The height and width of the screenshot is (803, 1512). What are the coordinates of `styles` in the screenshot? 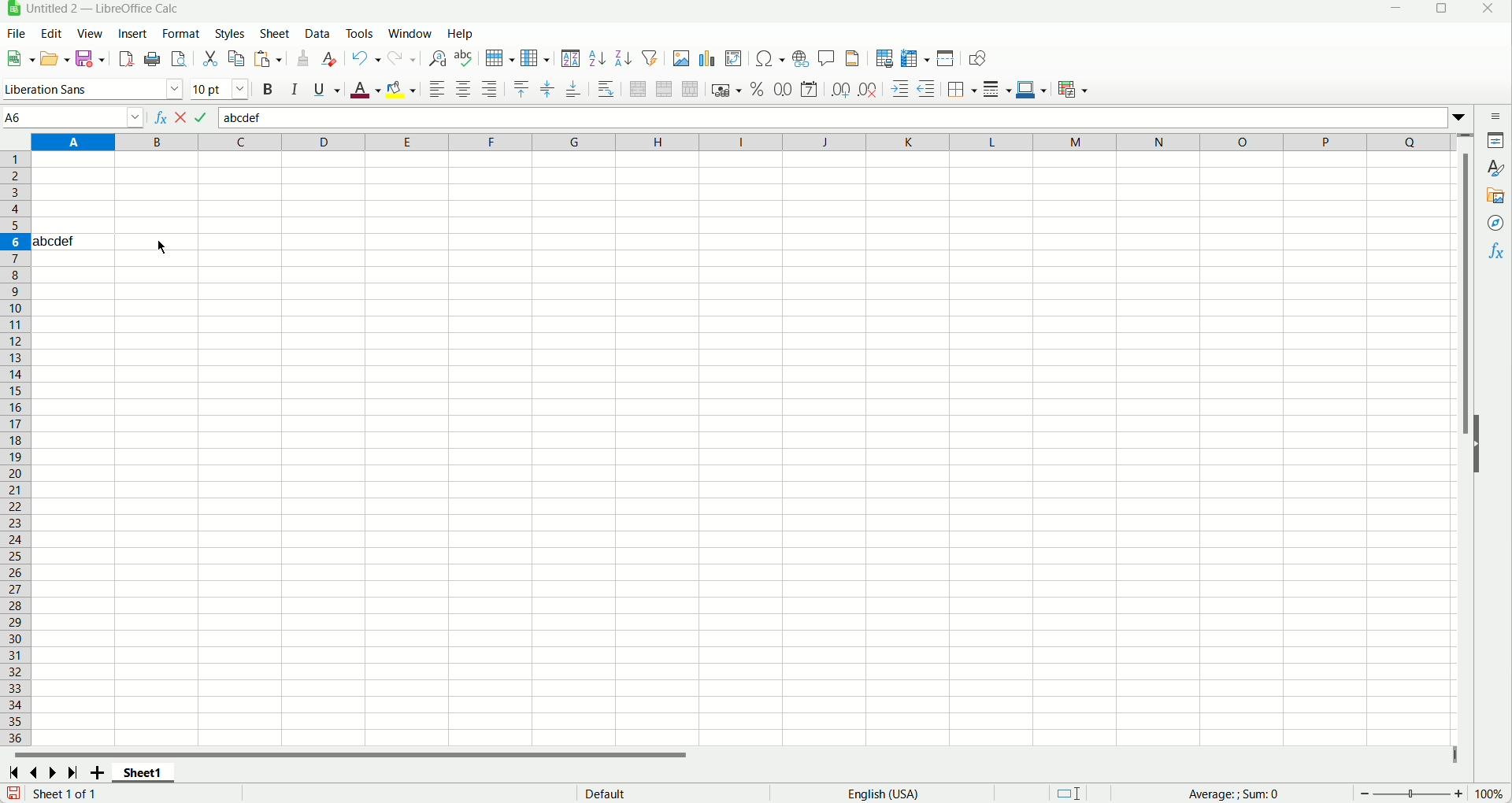 It's located at (1497, 170).